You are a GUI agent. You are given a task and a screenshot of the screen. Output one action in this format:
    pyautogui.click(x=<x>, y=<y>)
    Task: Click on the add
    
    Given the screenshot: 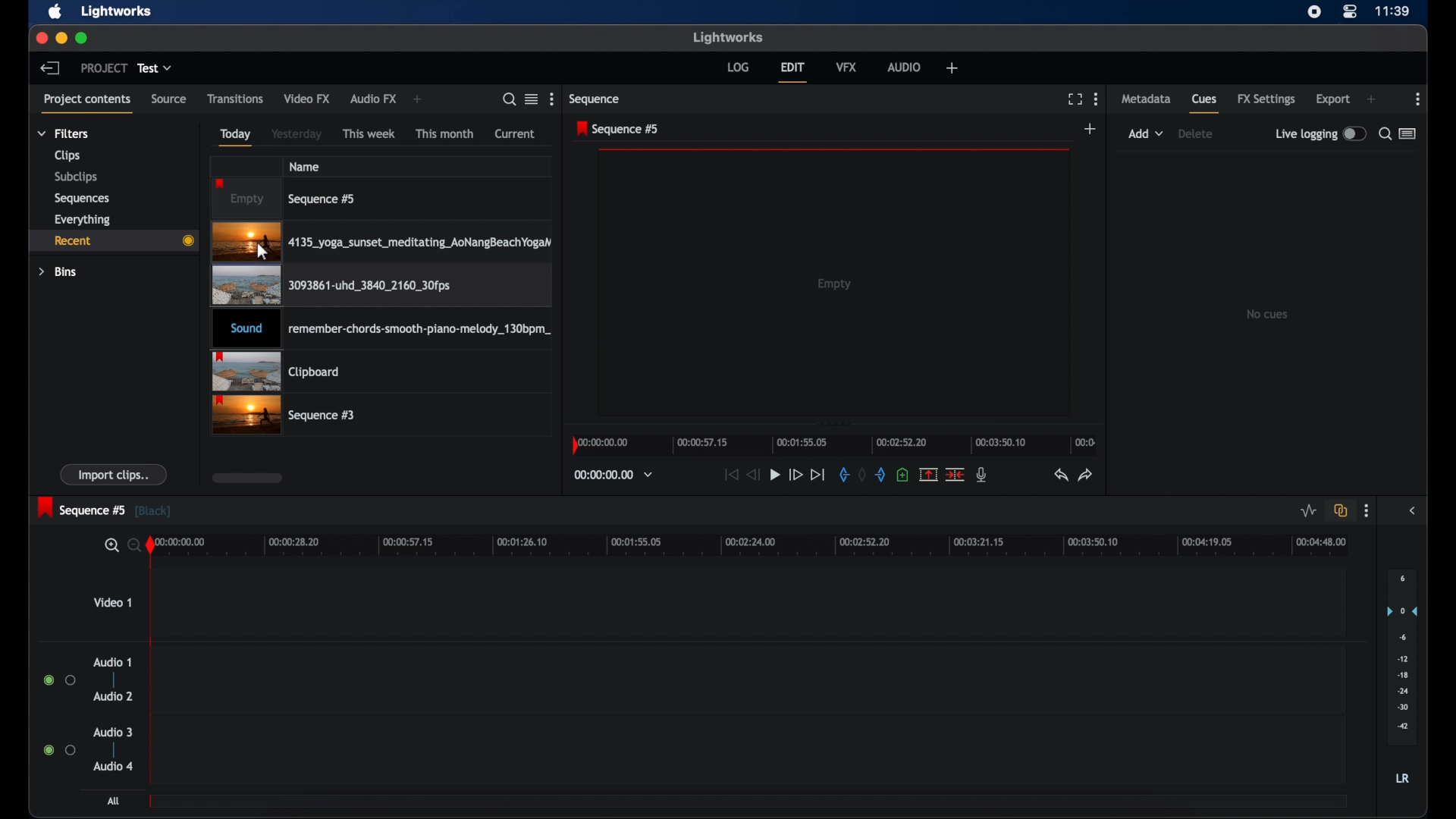 What is the action you would take?
    pyautogui.click(x=1371, y=99)
    